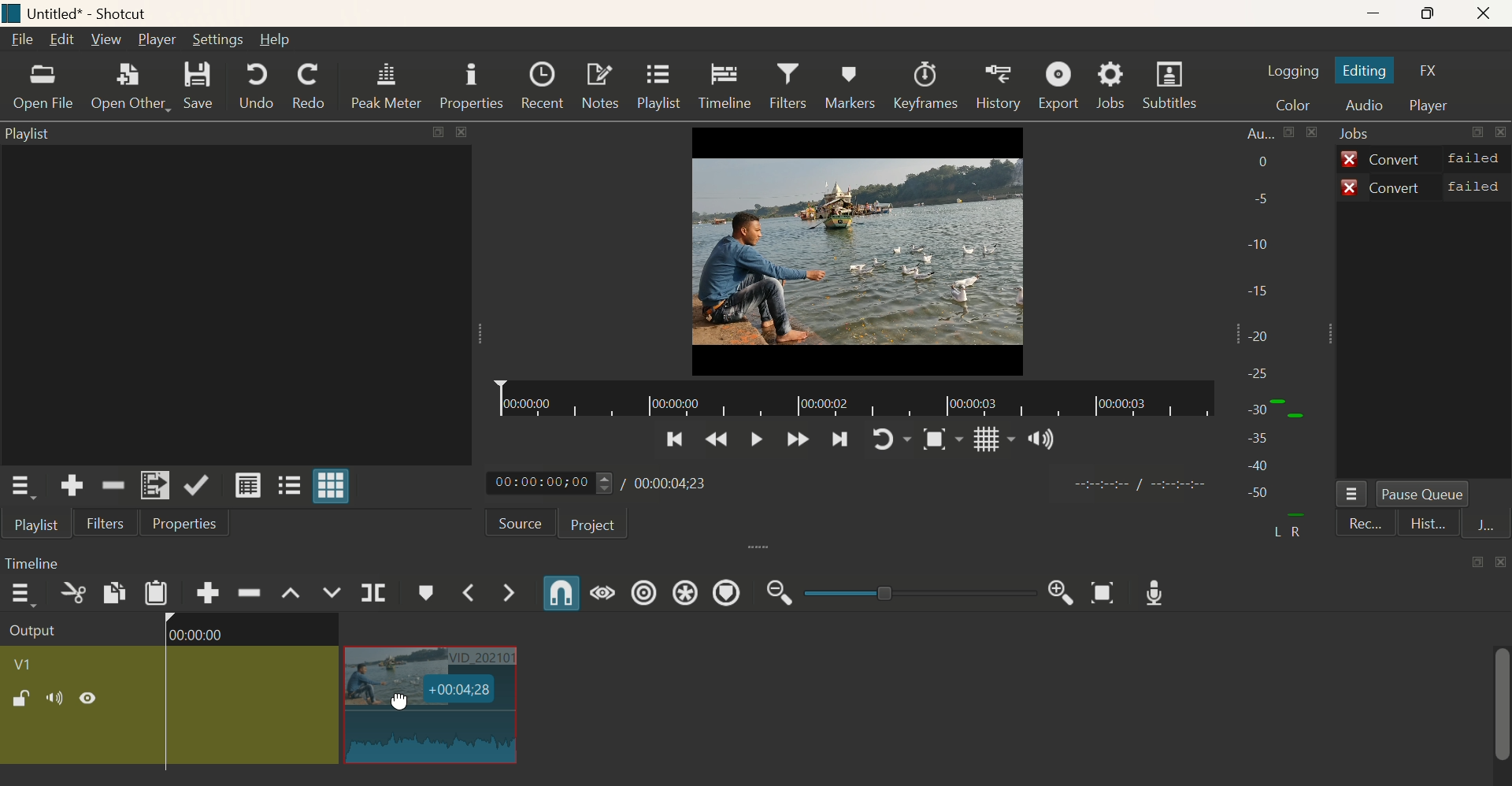 Image resolution: width=1512 pixels, height=786 pixels. Describe the element at coordinates (1117, 85) in the screenshot. I see `Jobs` at that location.